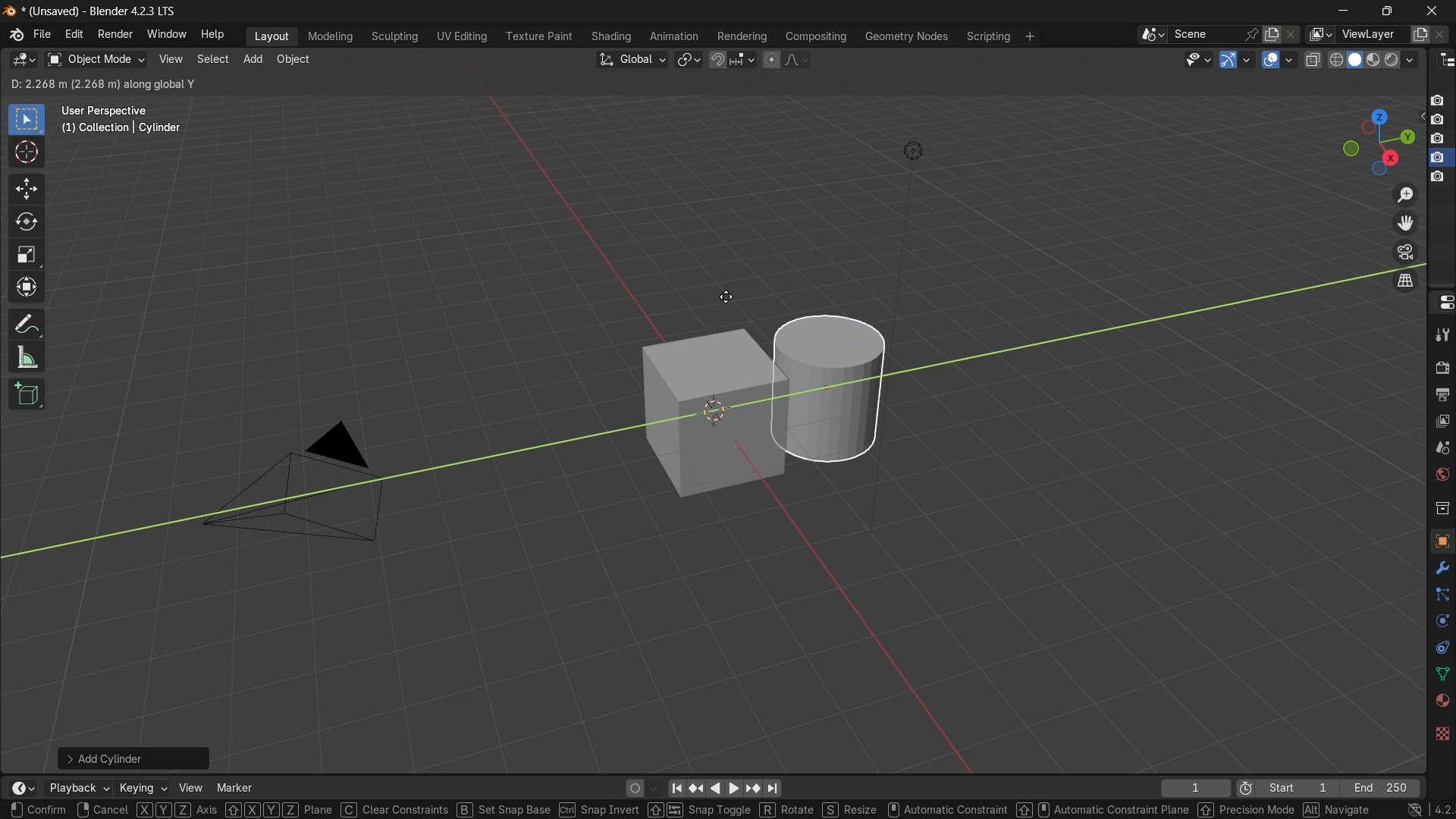  What do you see at coordinates (1197, 59) in the screenshot?
I see `selectability and visibility` at bounding box center [1197, 59].